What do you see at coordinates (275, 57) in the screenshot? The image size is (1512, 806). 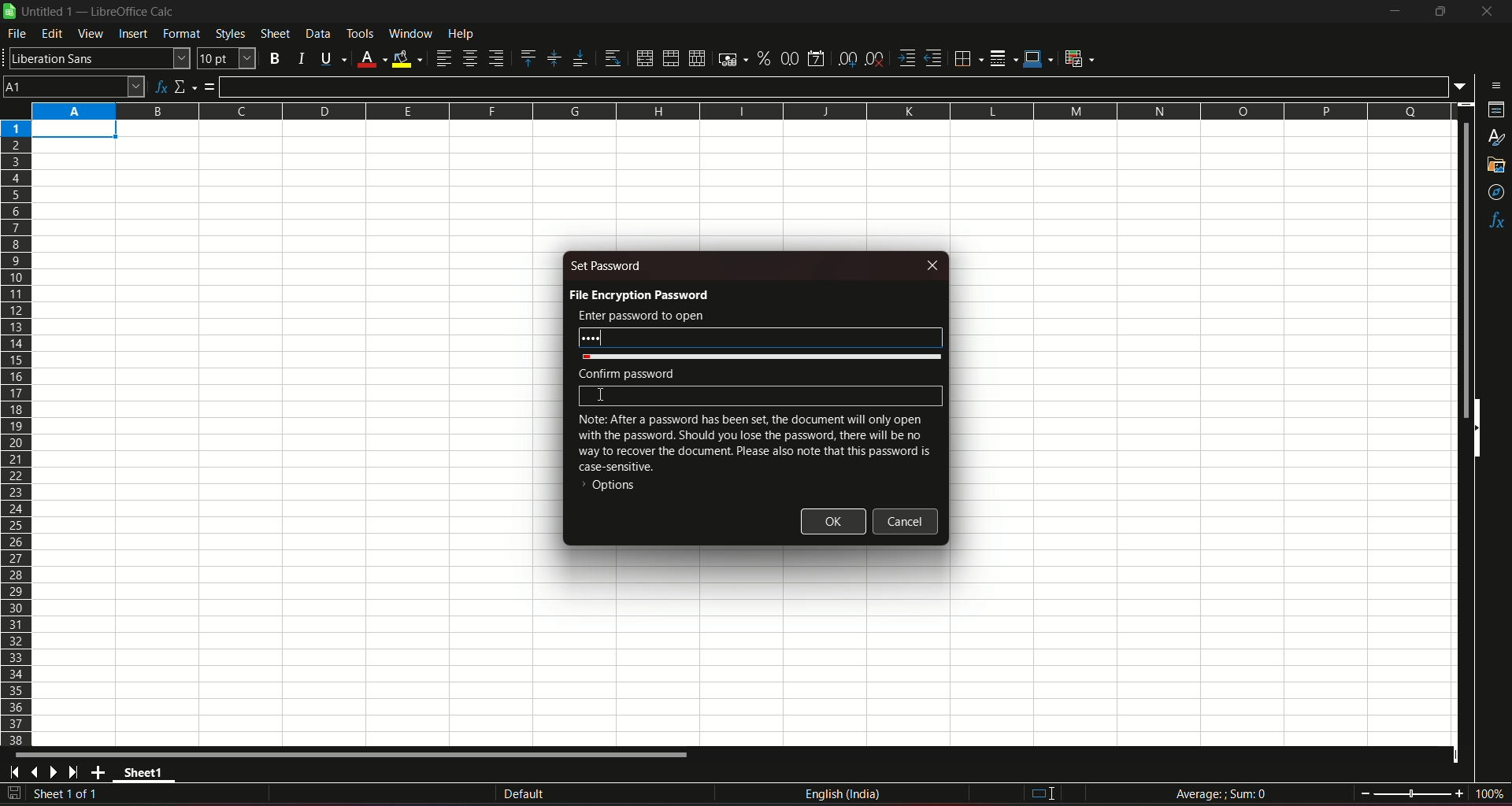 I see `bold` at bounding box center [275, 57].